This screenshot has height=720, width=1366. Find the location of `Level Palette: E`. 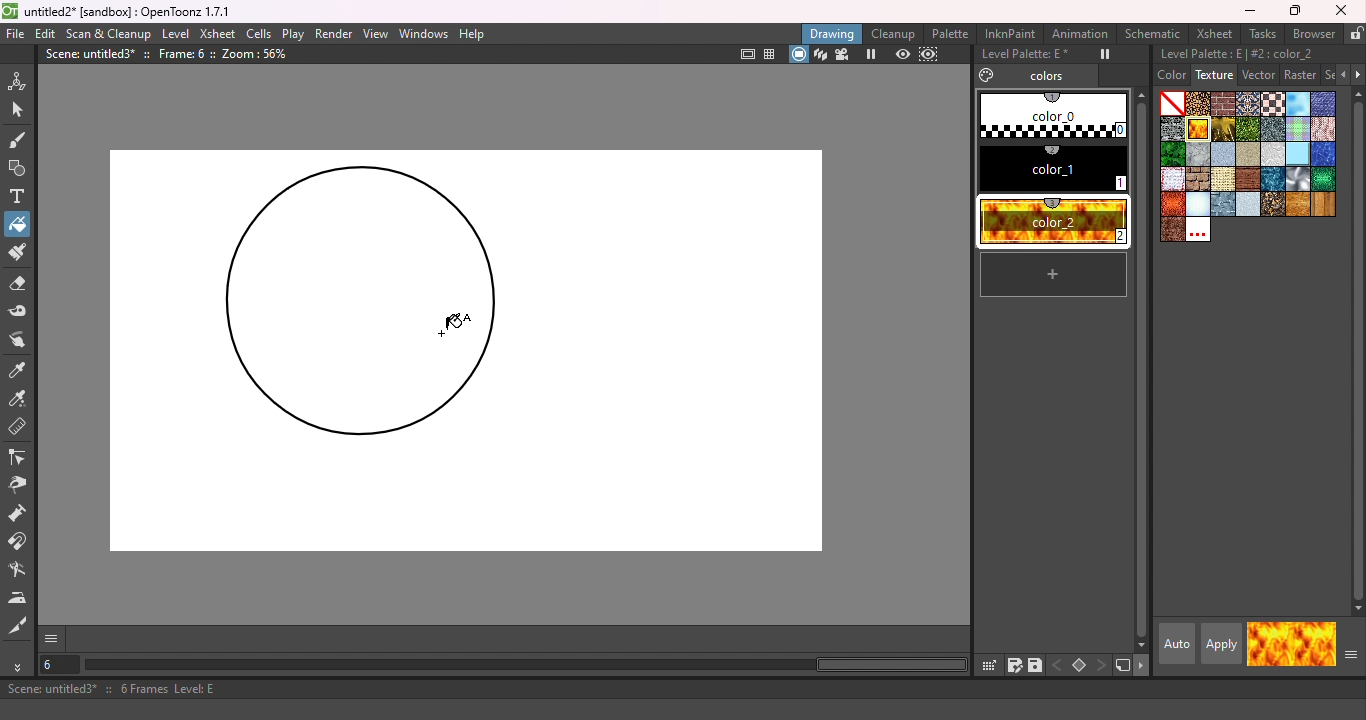

Level Palette: E is located at coordinates (1021, 55).